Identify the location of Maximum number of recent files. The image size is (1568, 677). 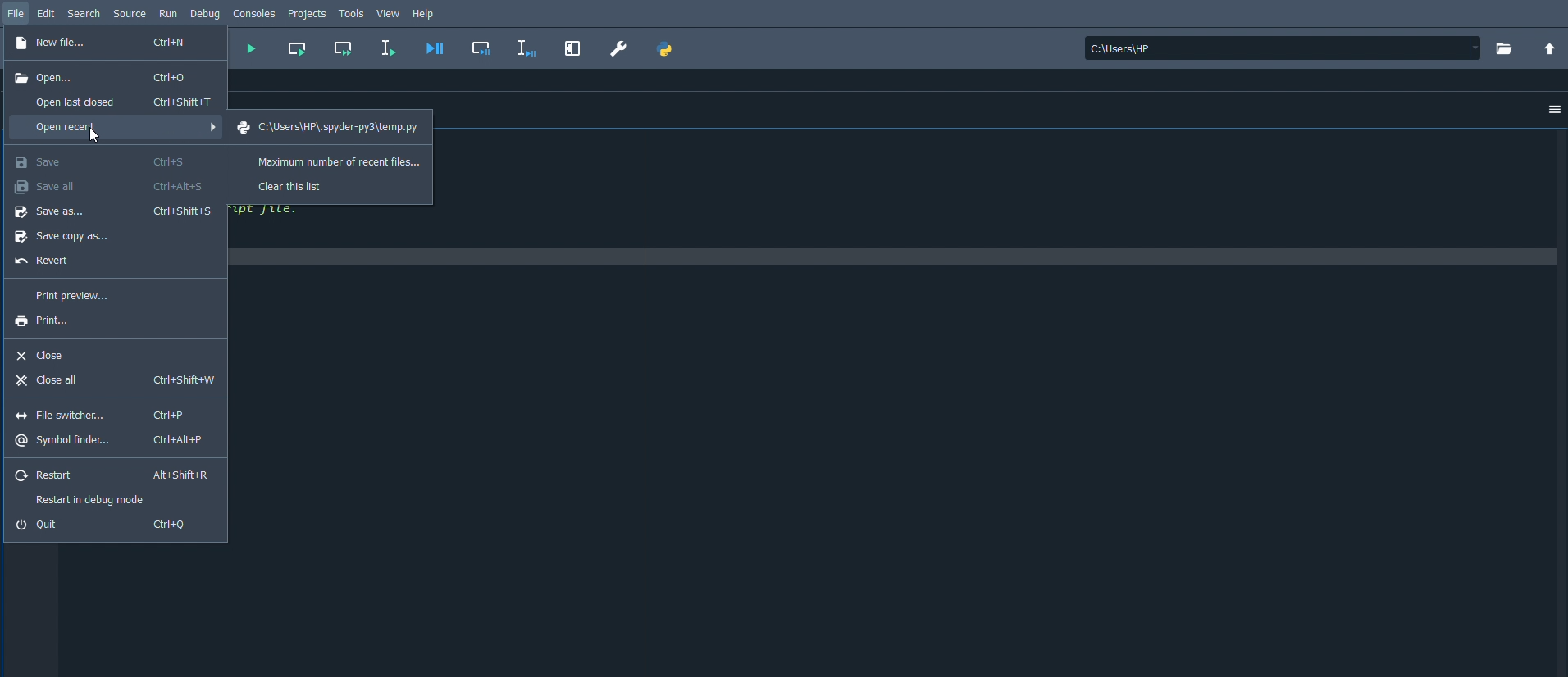
(333, 160).